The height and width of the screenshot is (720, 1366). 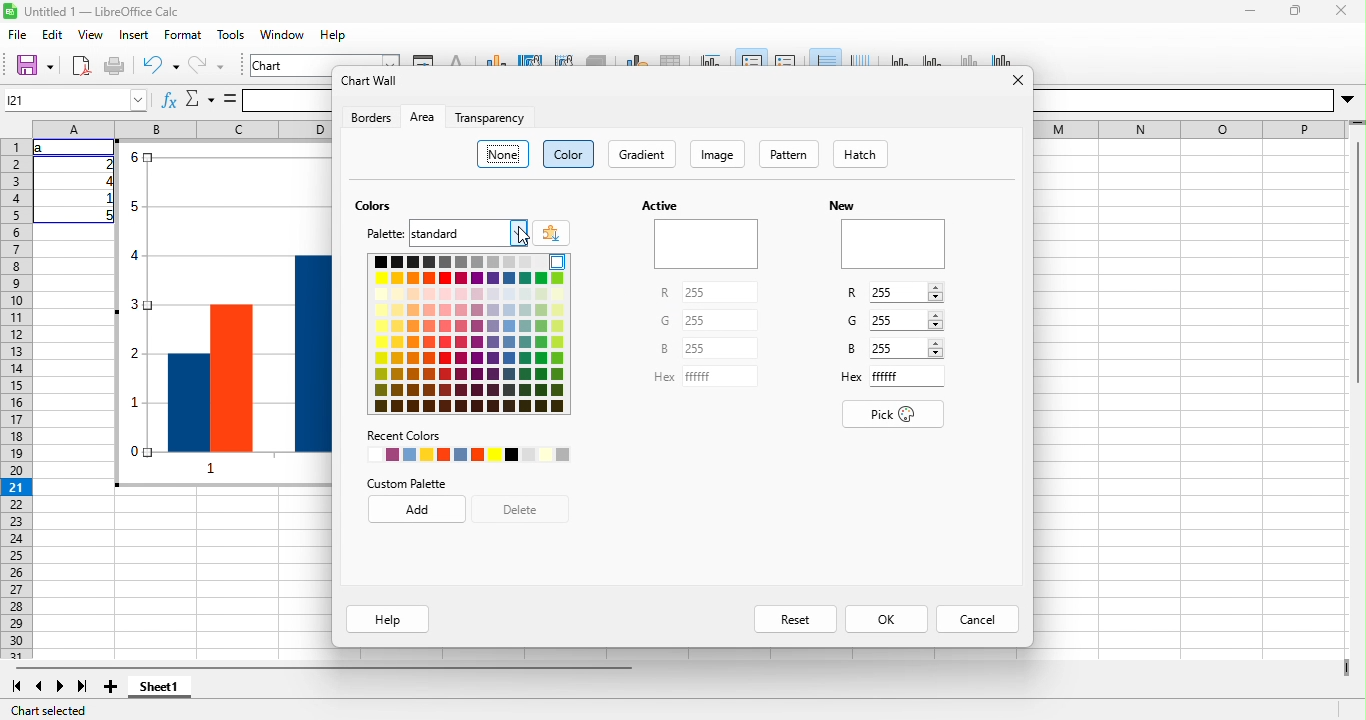 I want to click on Increase/Decrease B value, so click(x=936, y=348).